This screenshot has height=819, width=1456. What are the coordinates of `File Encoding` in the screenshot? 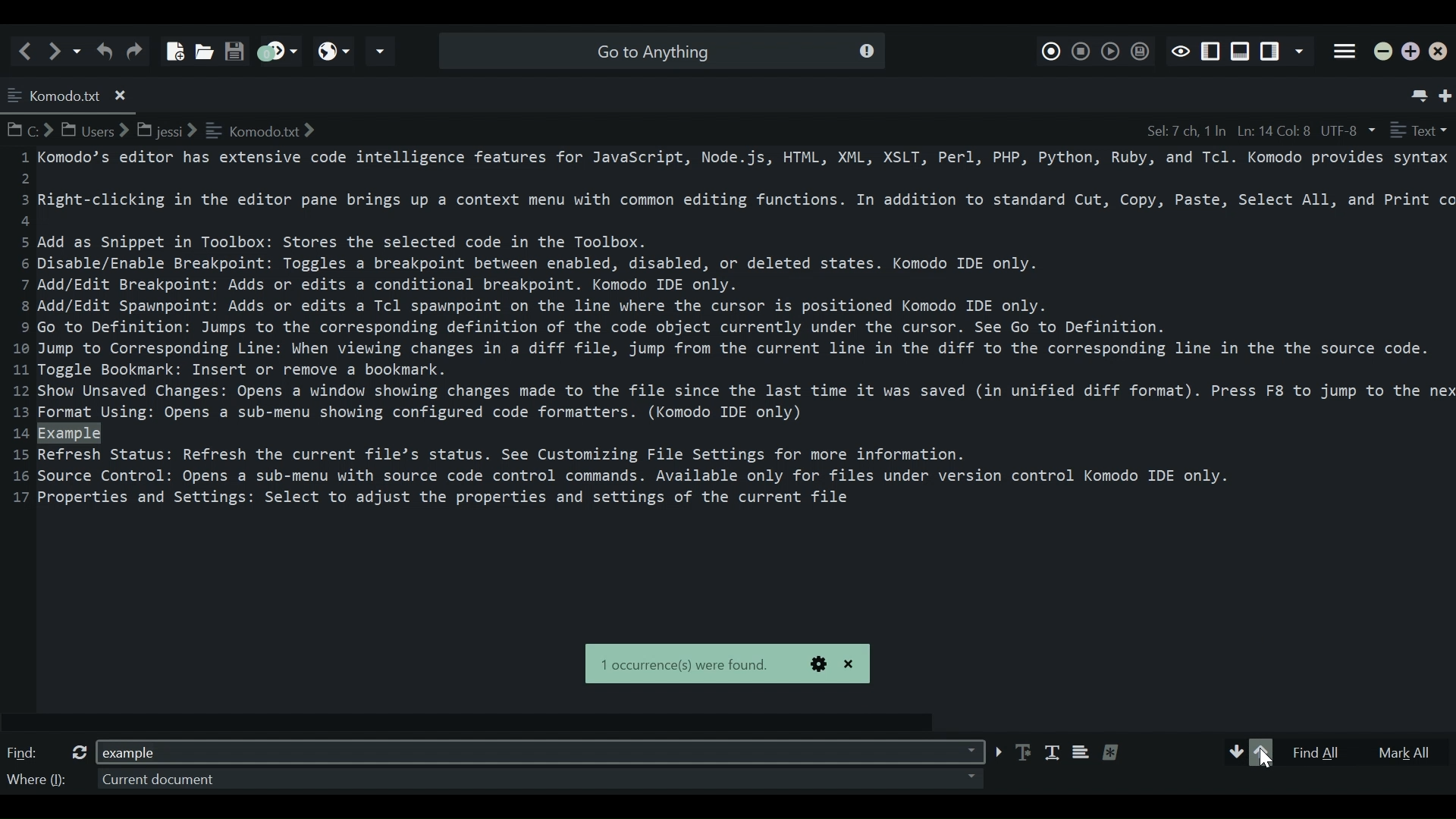 It's located at (1349, 130).